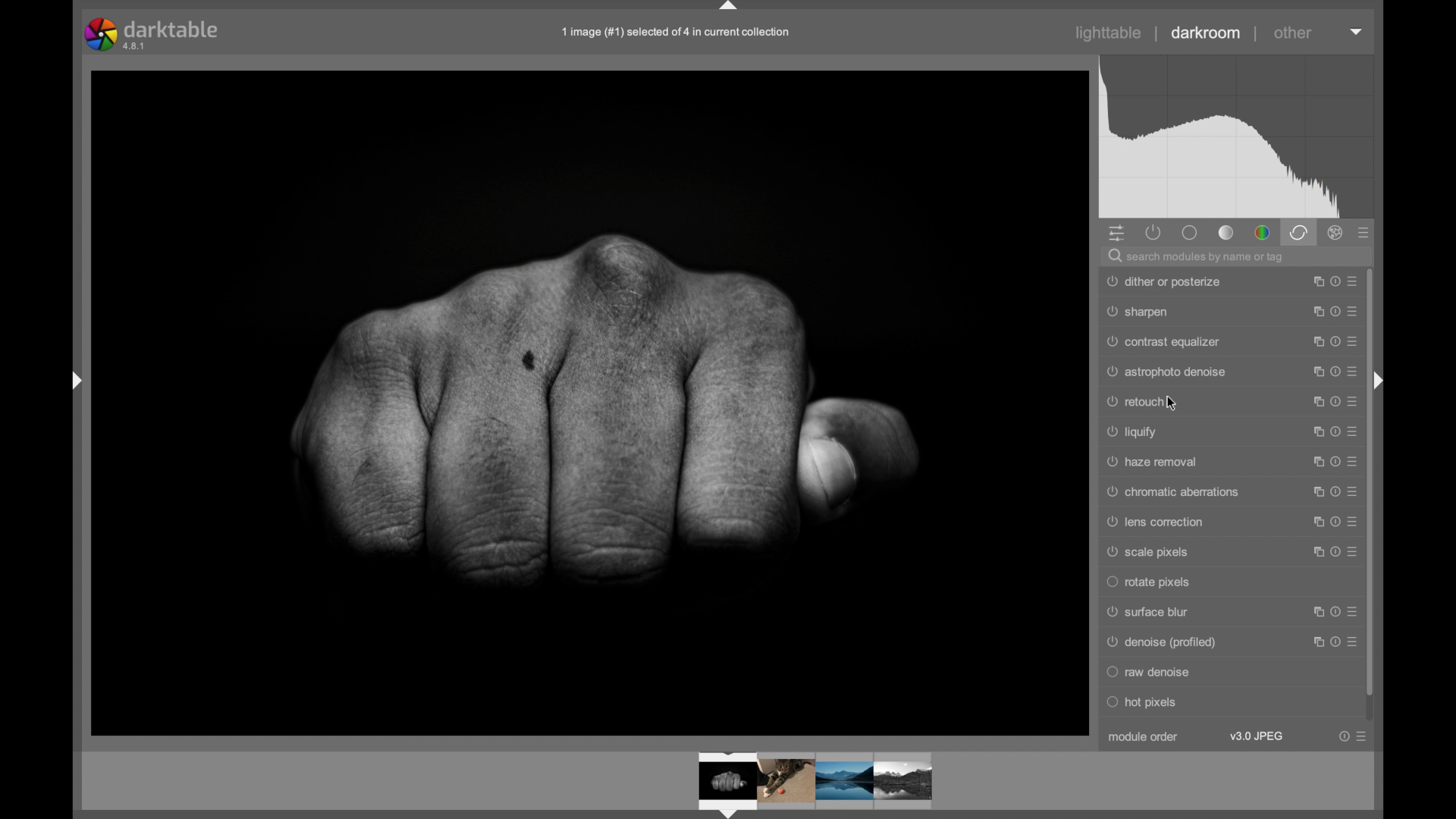 This screenshot has height=819, width=1456. Describe the element at coordinates (591, 403) in the screenshot. I see `photo` at that location.